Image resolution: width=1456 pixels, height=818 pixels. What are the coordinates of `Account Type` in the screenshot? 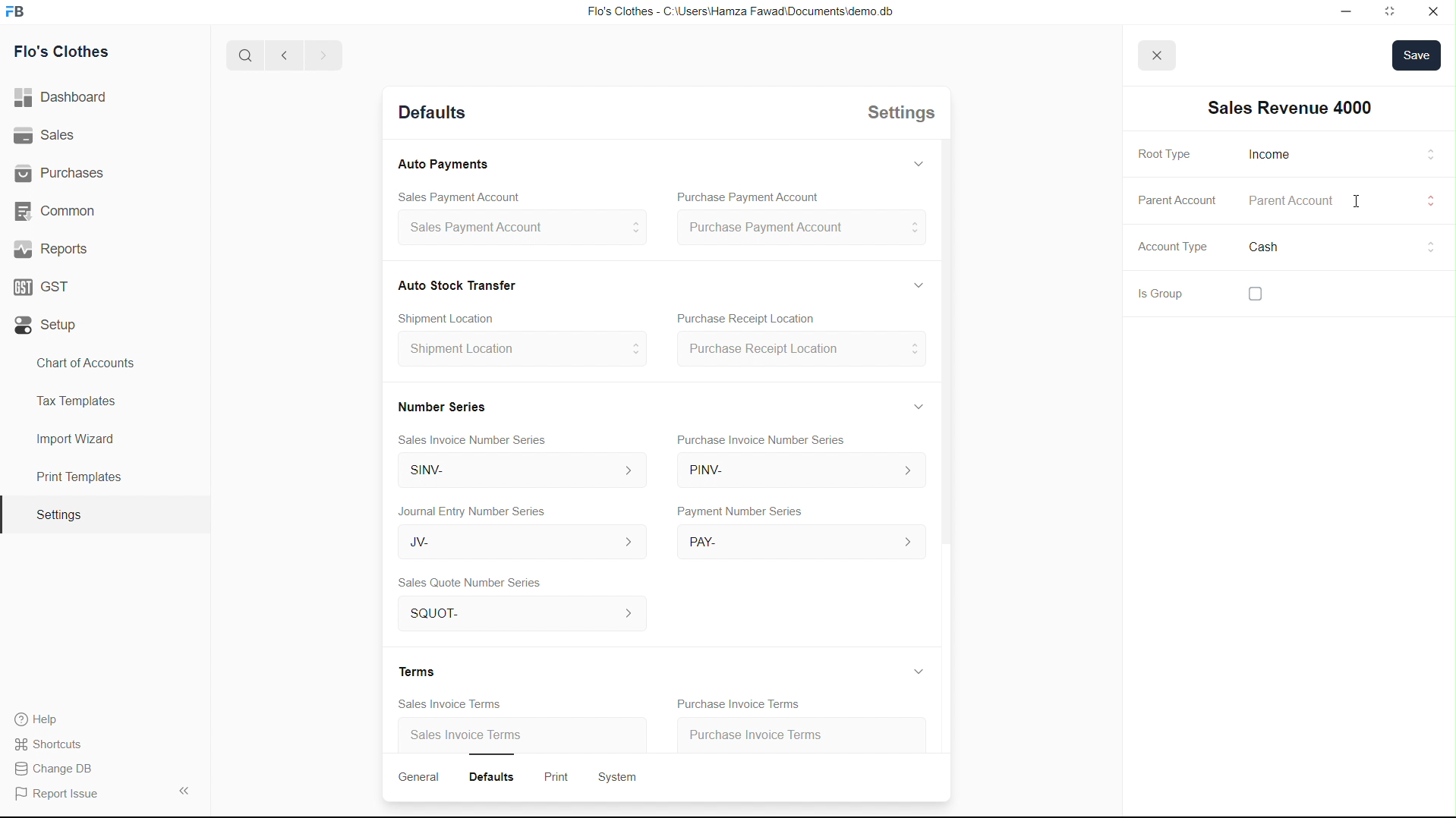 It's located at (1170, 250).